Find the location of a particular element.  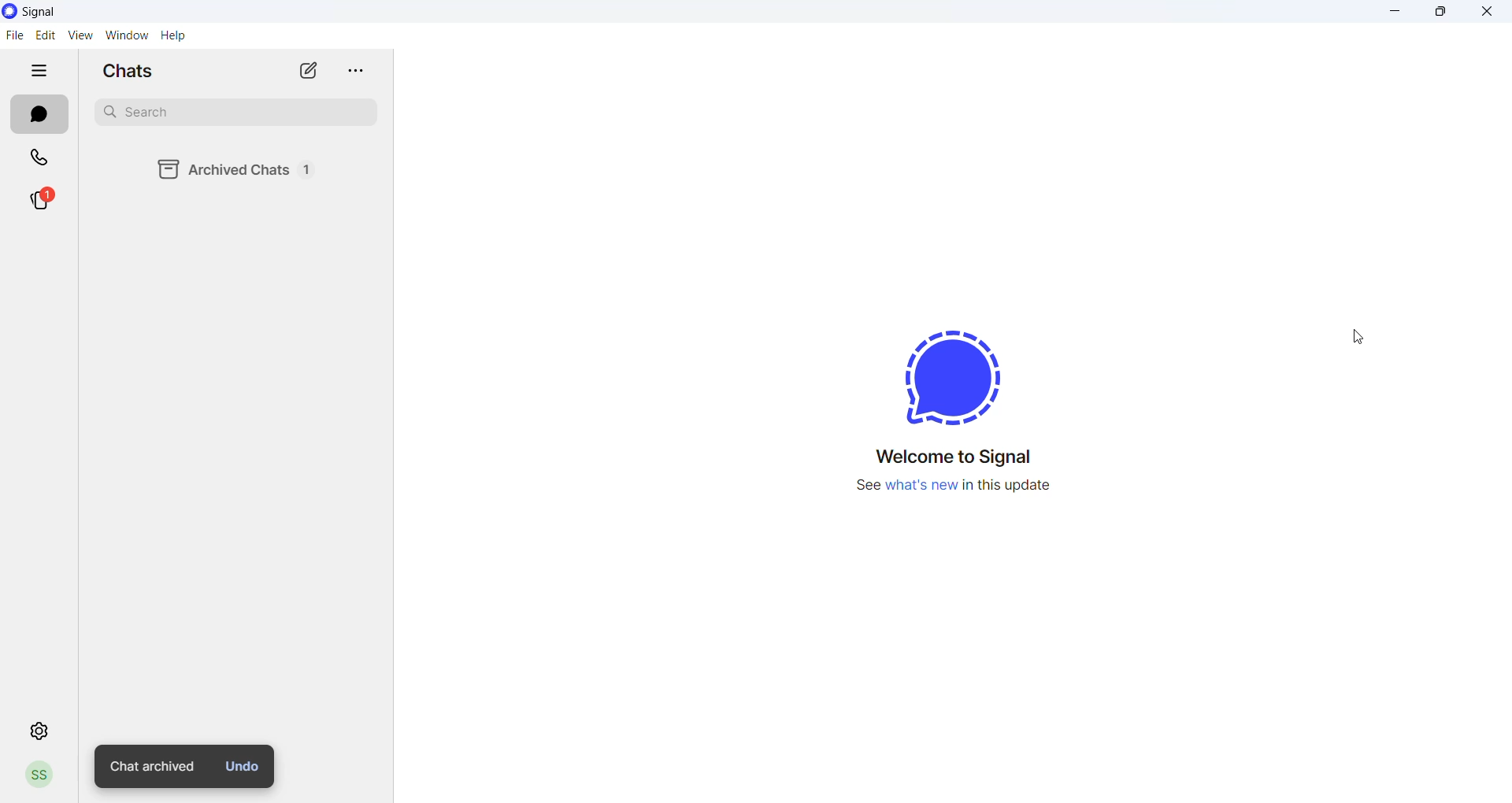

cursor is located at coordinates (1358, 335).